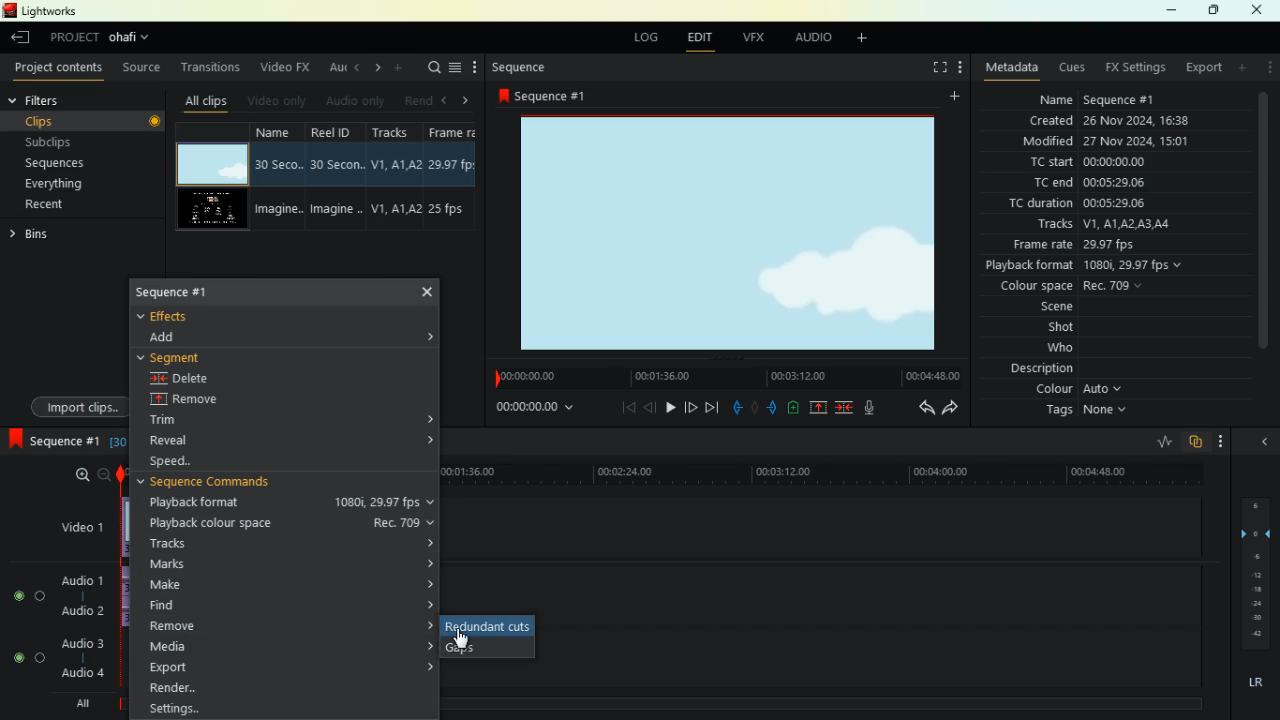  What do you see at coordinates (866, 41) in the screenshot?
I see `add` at bounding box center [866, 41].